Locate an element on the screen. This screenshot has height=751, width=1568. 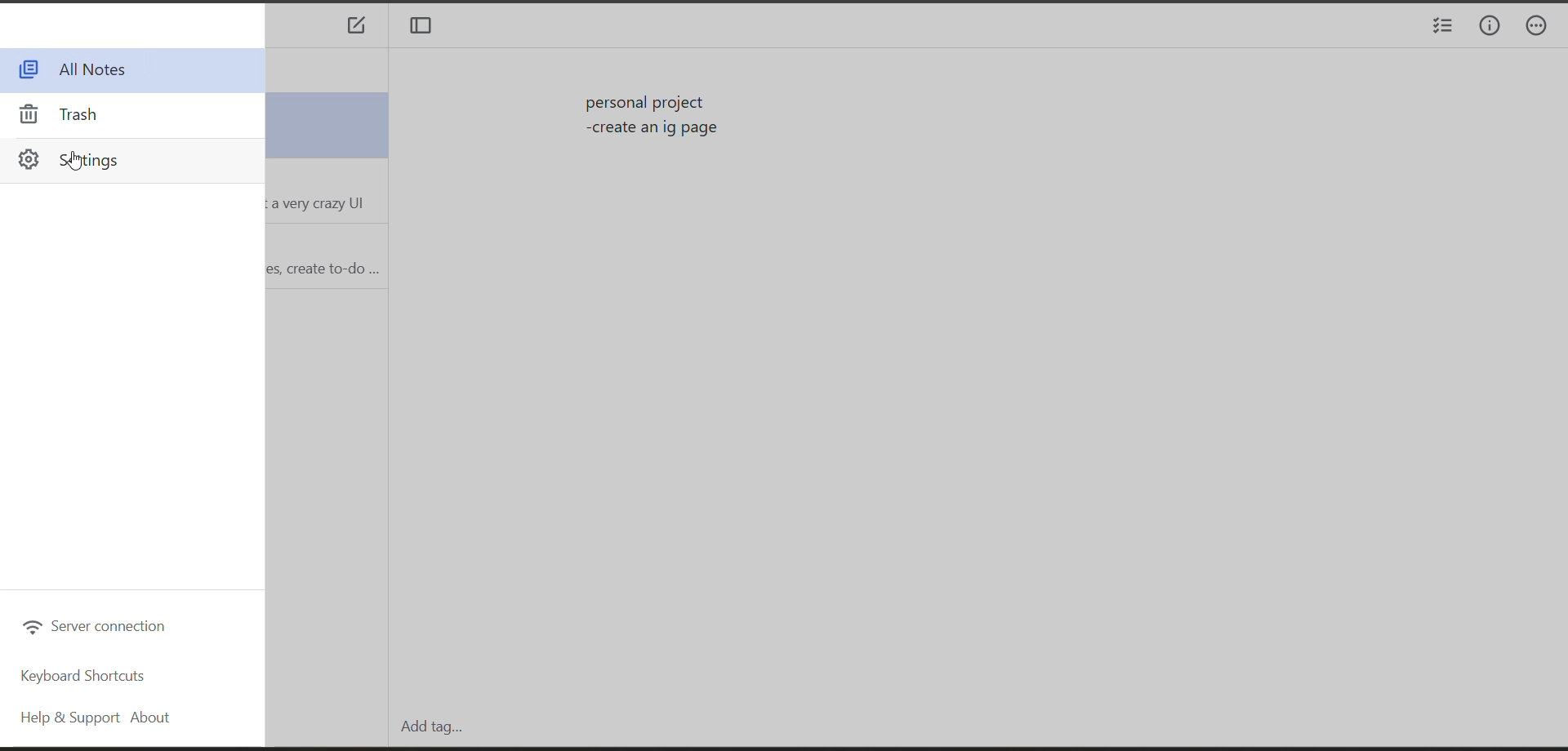
new note is located at coordinates (356, 28).